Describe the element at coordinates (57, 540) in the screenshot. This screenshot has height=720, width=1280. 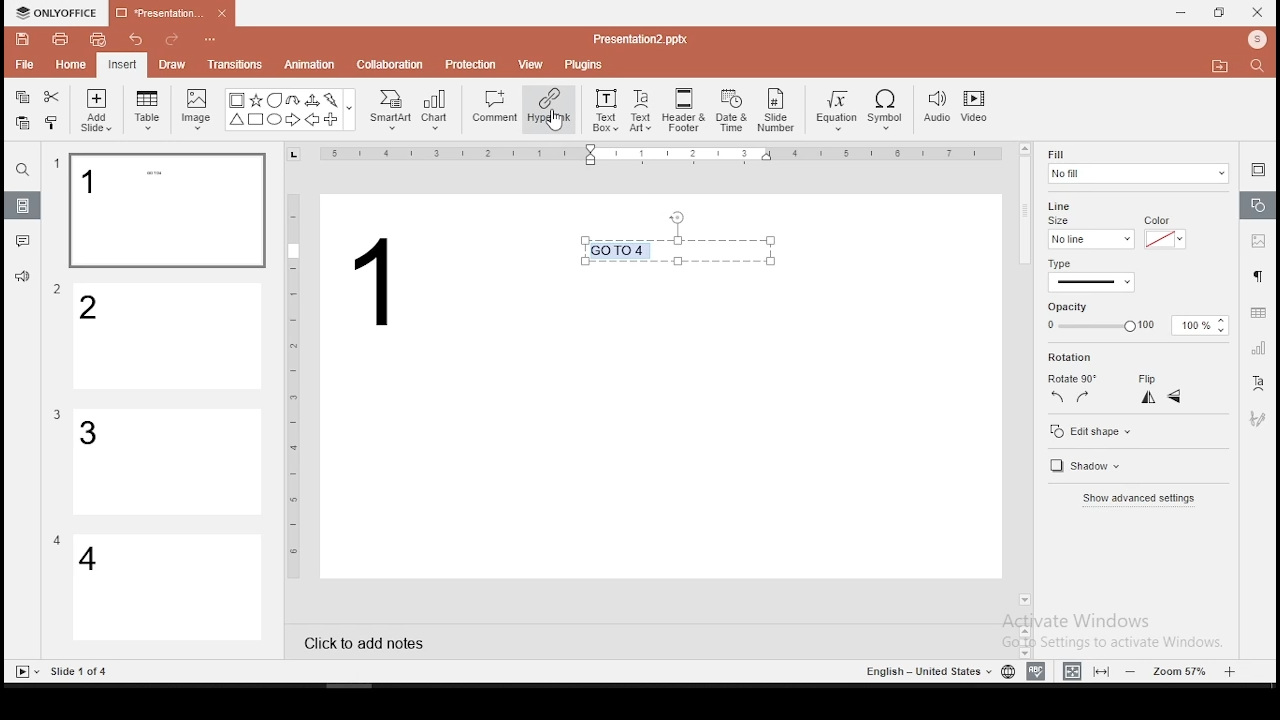
I see `` at that location.